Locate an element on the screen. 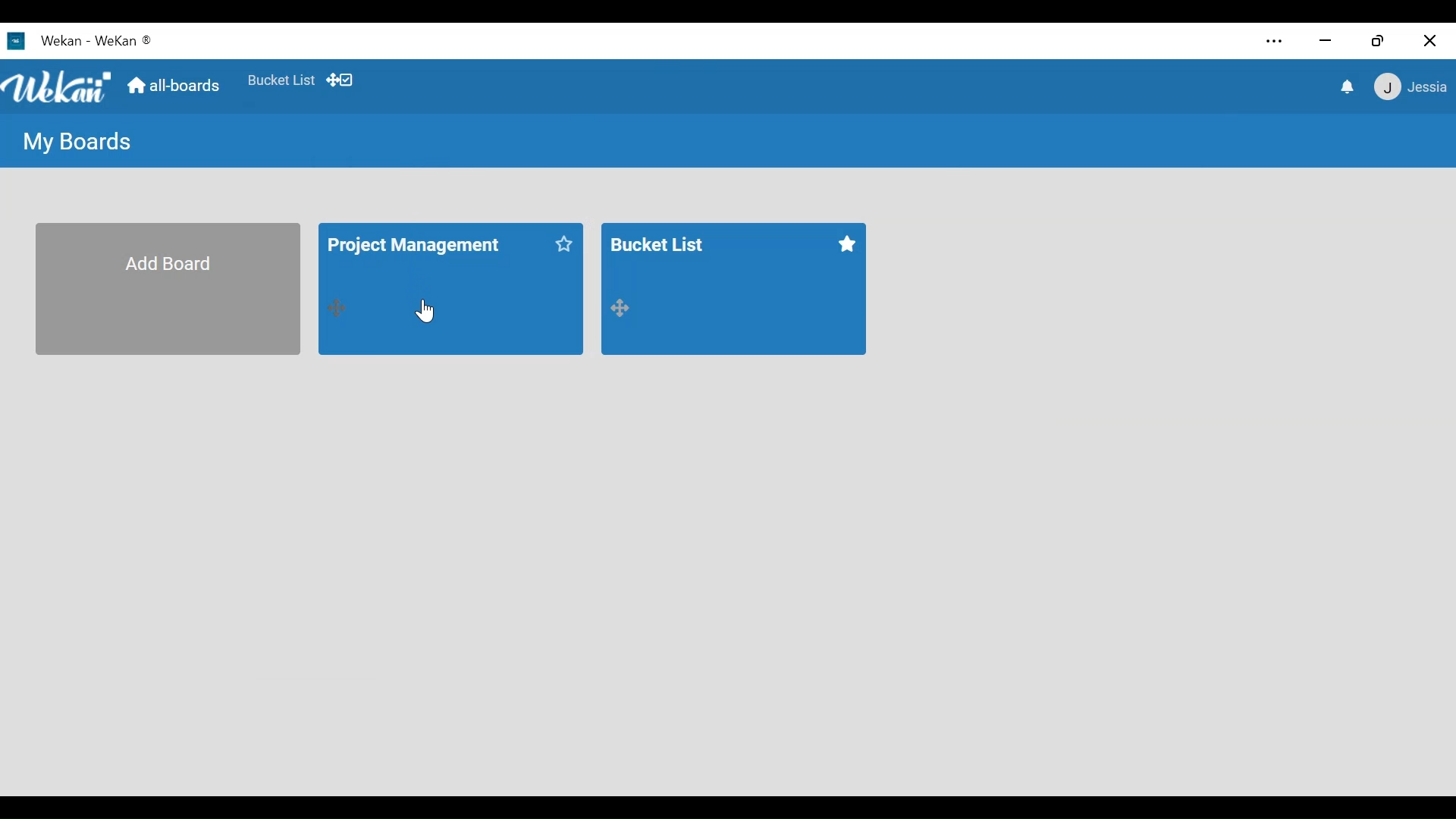 This screenshot has height=819, width=1456. star is located at coordinates (847, 245).